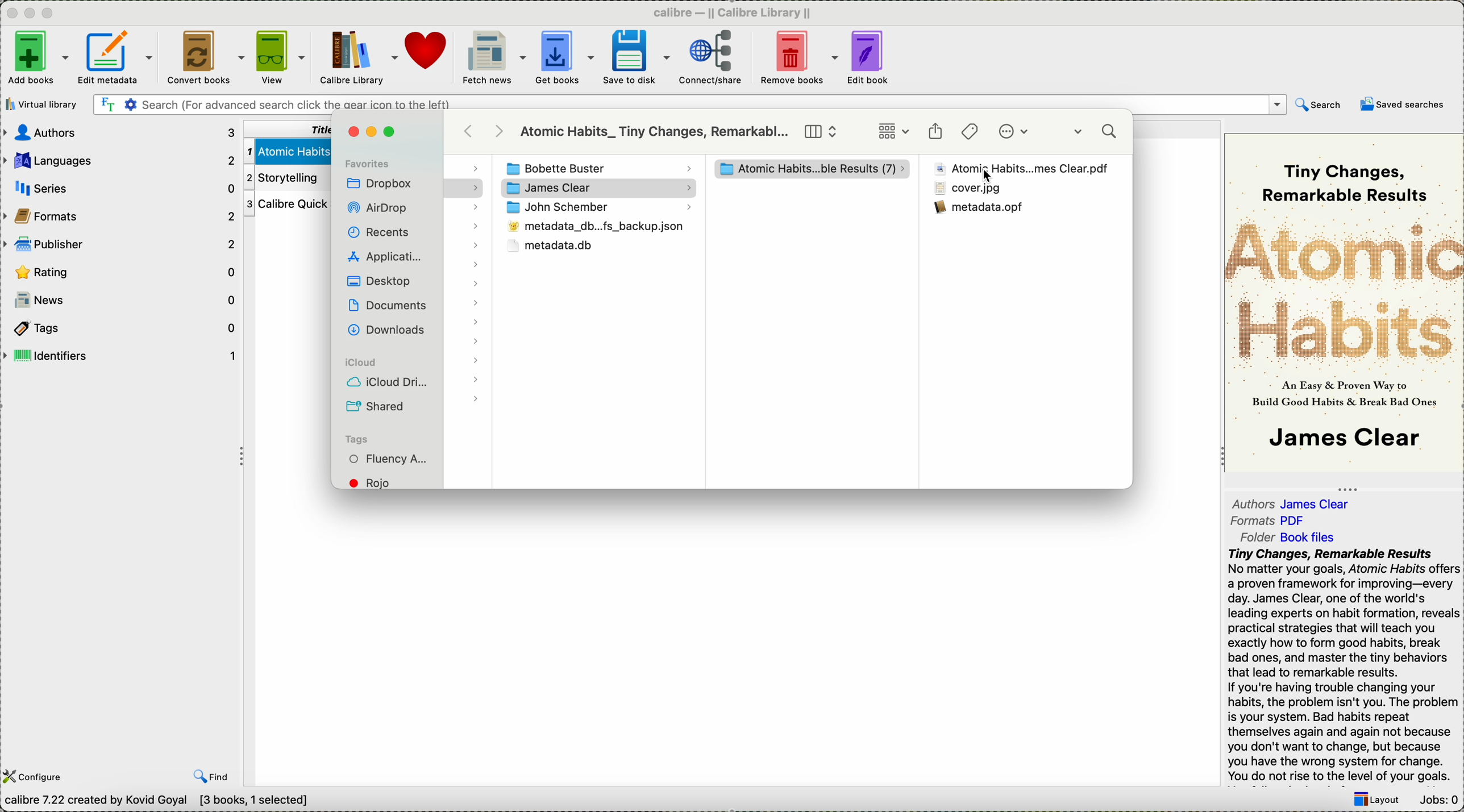  Describe the element at coordinates (980, 207) in the screenshot. I see `metadata.opf` at that location.